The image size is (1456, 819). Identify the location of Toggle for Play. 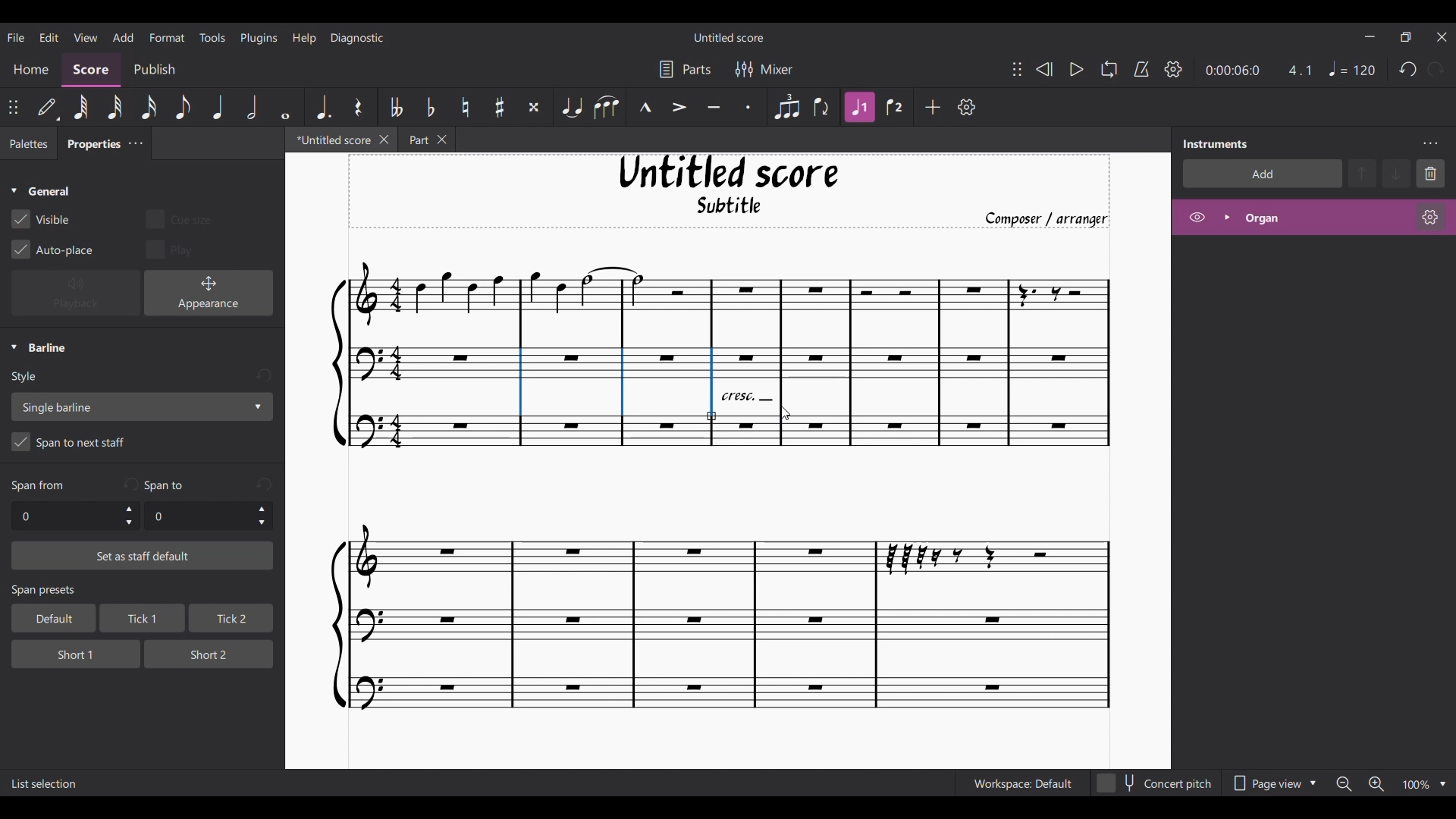
(171, 249).